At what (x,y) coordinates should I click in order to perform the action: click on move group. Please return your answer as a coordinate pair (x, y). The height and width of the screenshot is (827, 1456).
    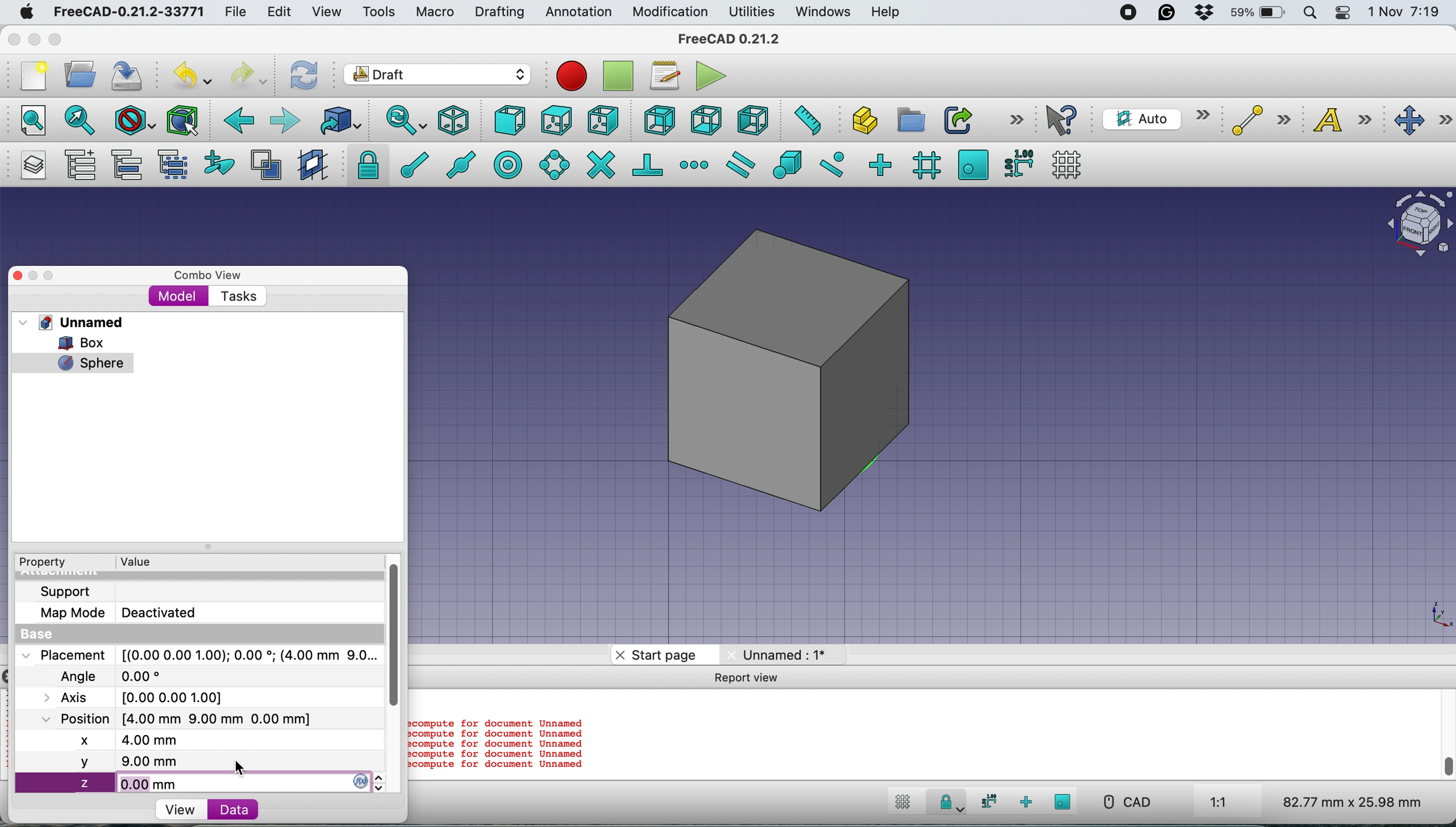
    Looking at the image, I should click on (130, 165).